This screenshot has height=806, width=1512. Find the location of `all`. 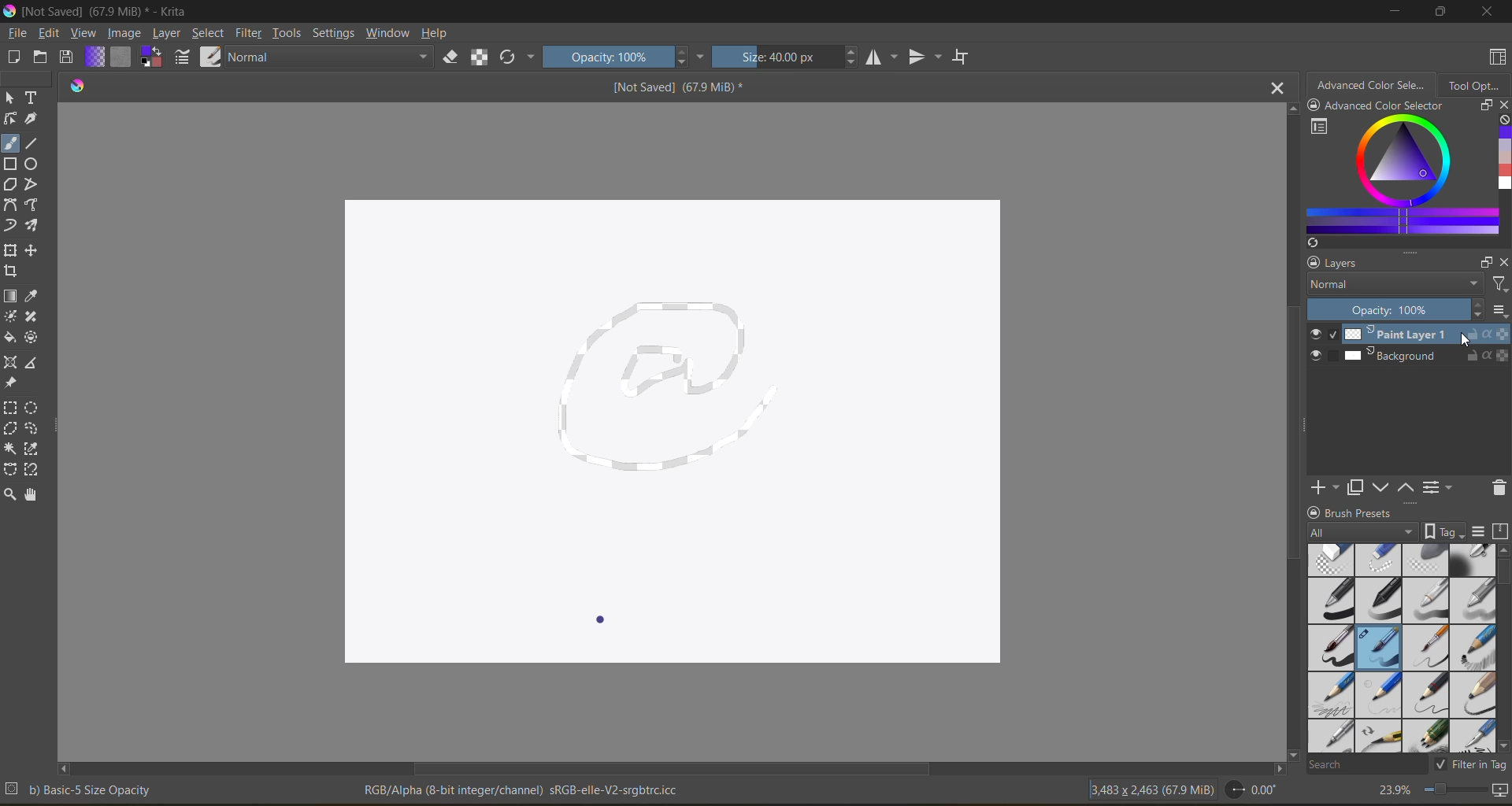

all is located at coordinates (1361, 531).